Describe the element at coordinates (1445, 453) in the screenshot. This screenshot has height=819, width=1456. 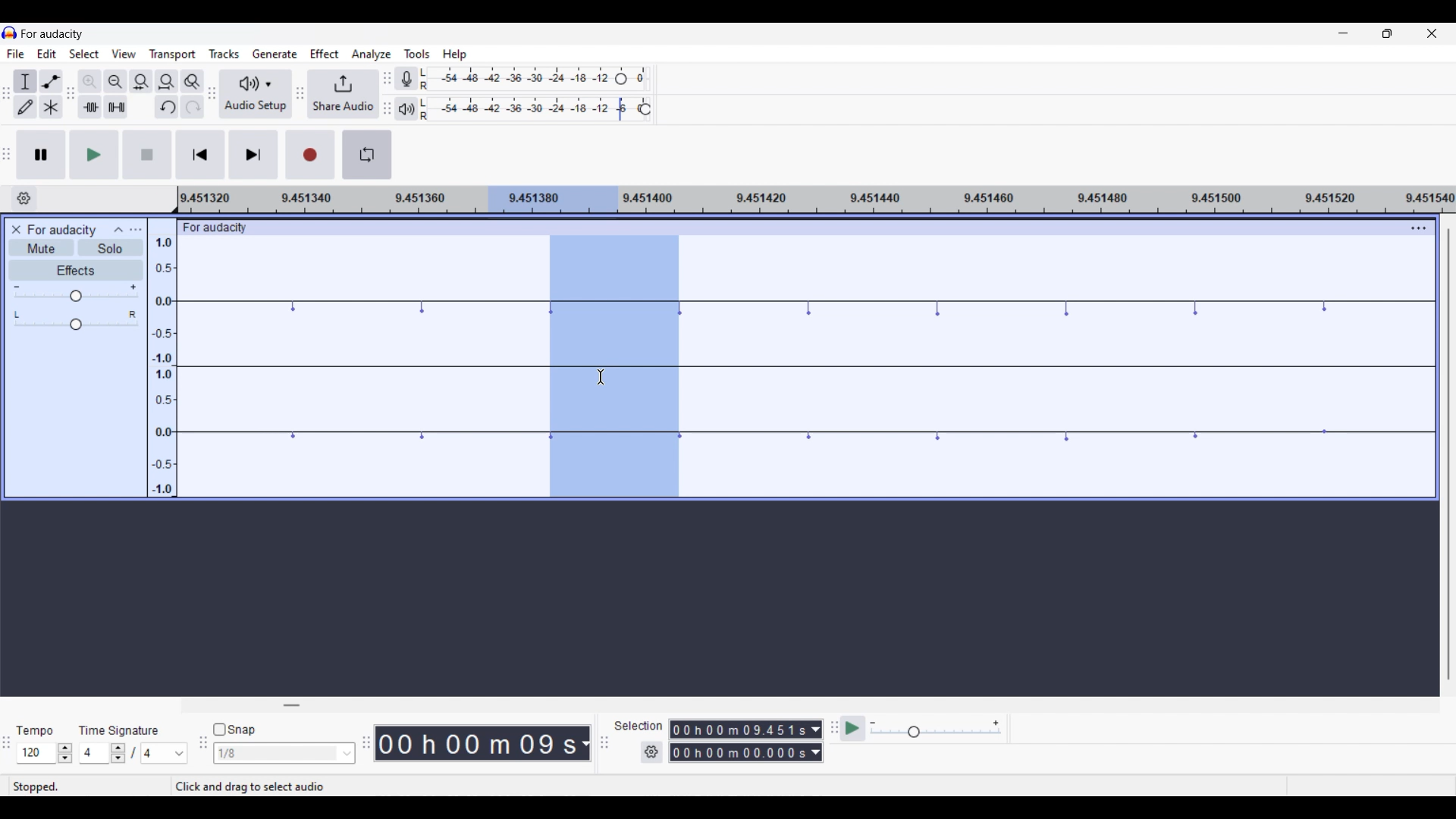
I see `Vertical scroll bar` at that location.